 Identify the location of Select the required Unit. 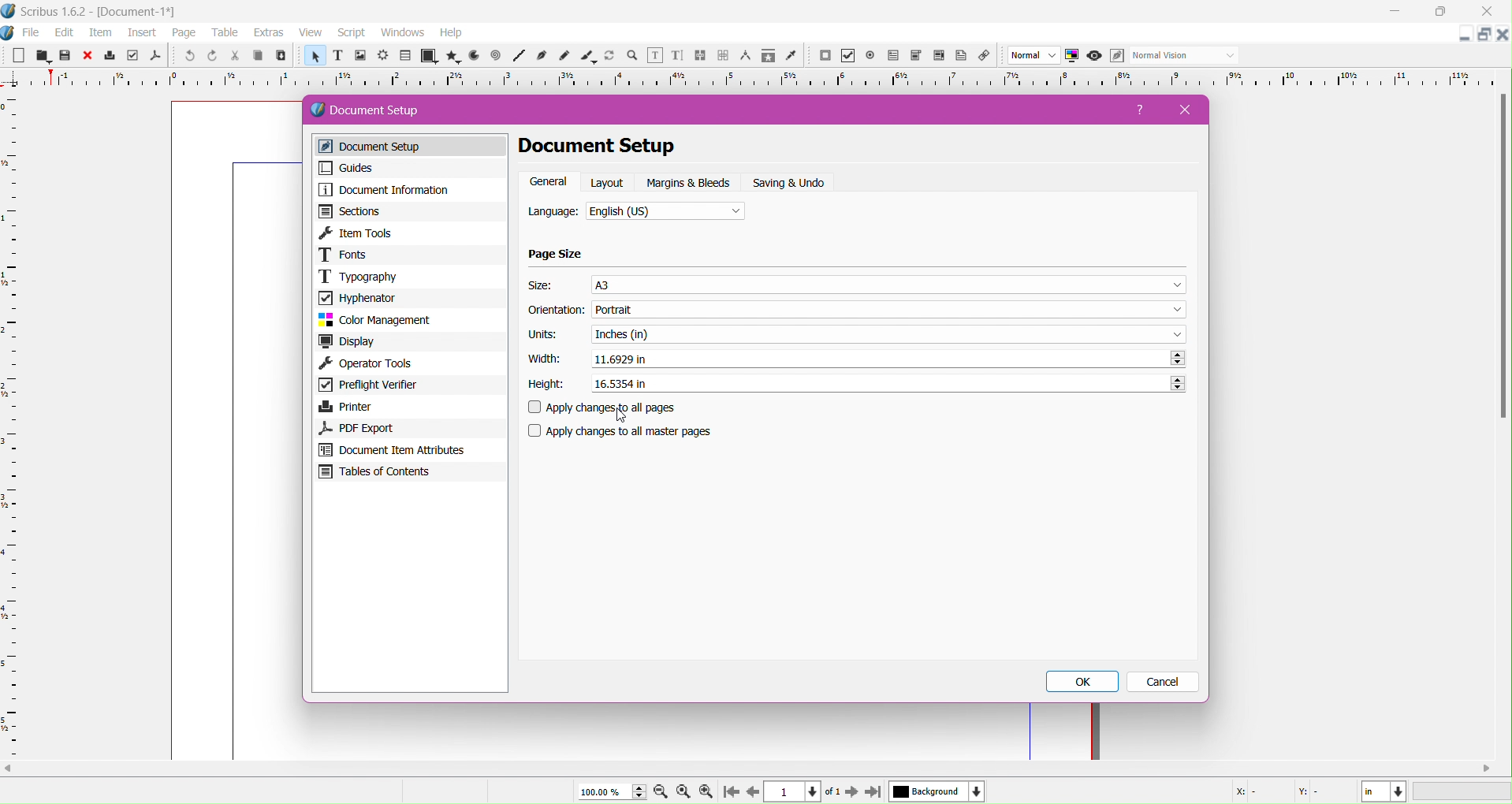
(888, 333).